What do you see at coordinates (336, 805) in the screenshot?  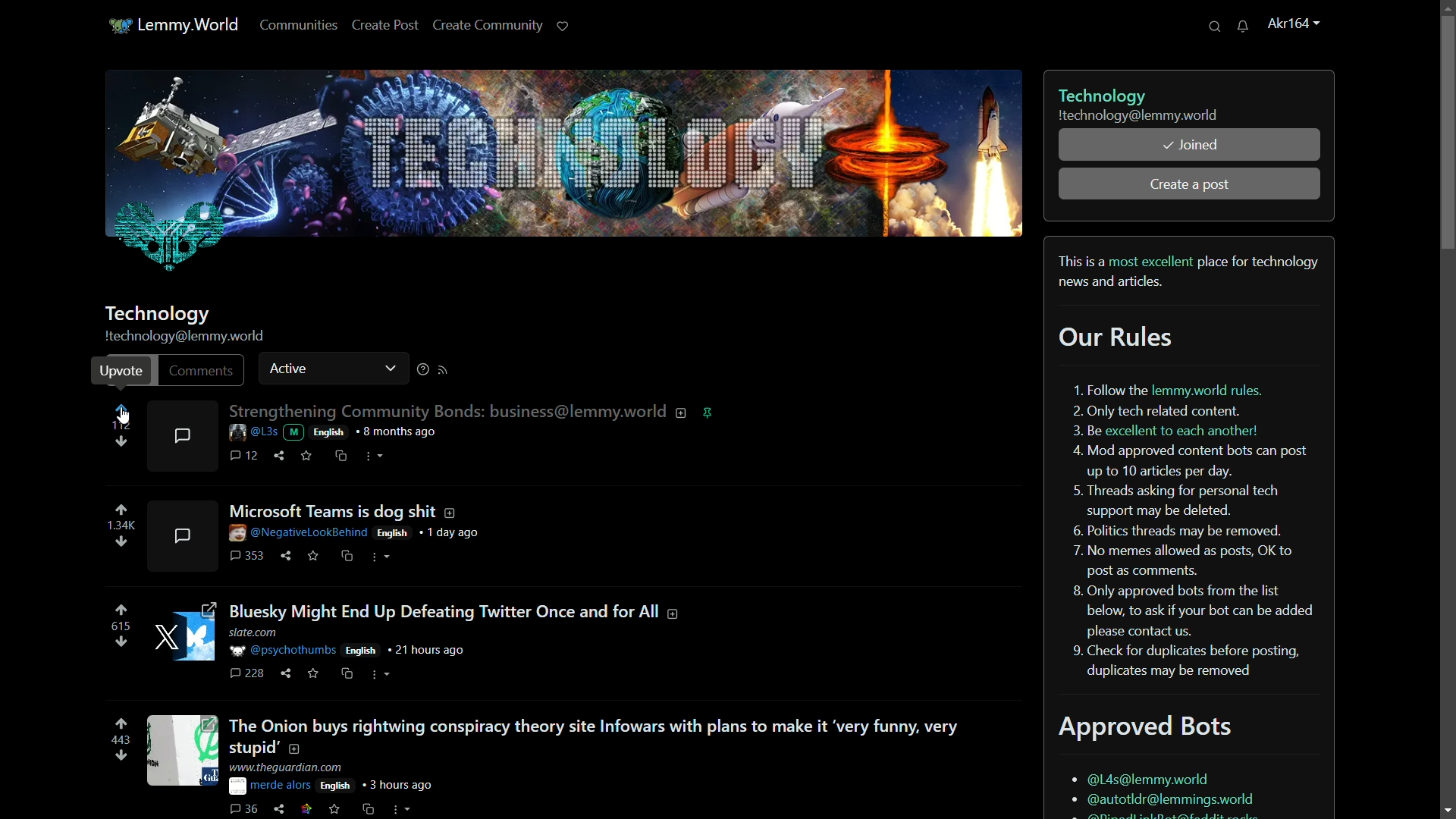 I see `save` at bounding box center [336, 805].